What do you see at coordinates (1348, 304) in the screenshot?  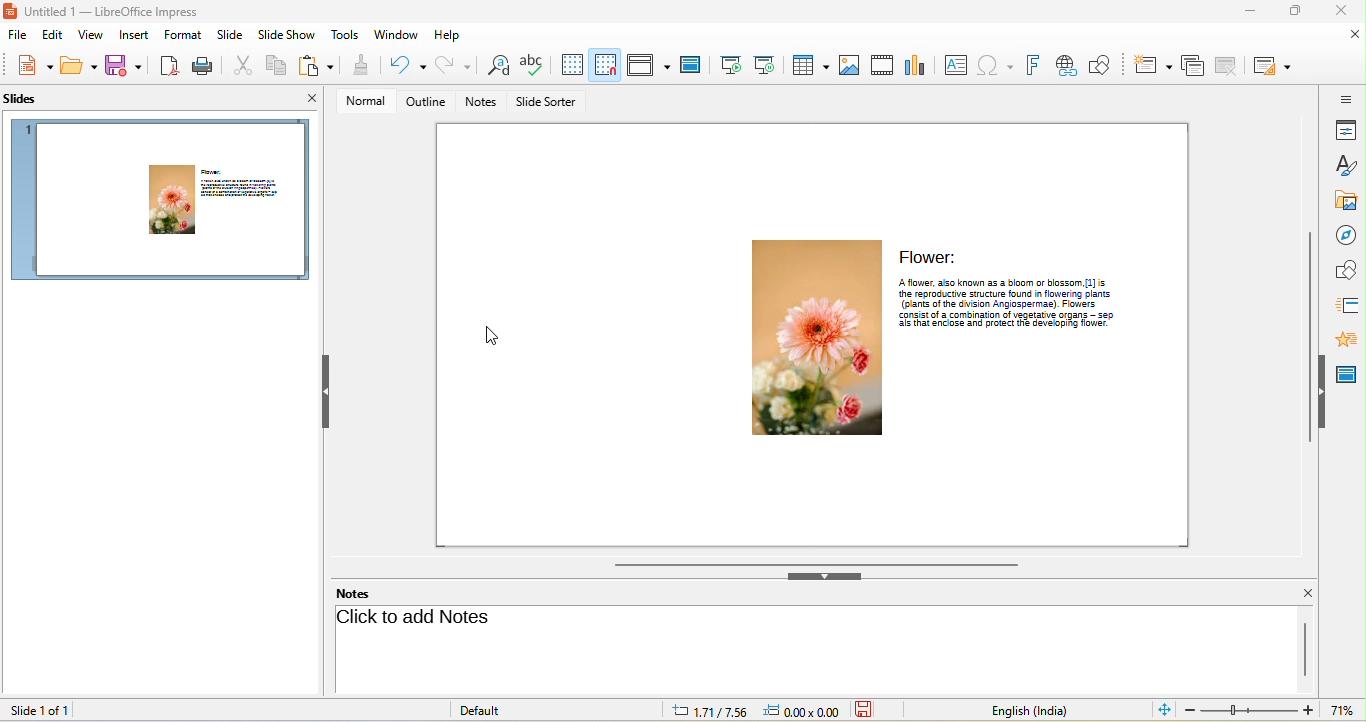 I see `slide transition` at bounding box center [1348, 304].